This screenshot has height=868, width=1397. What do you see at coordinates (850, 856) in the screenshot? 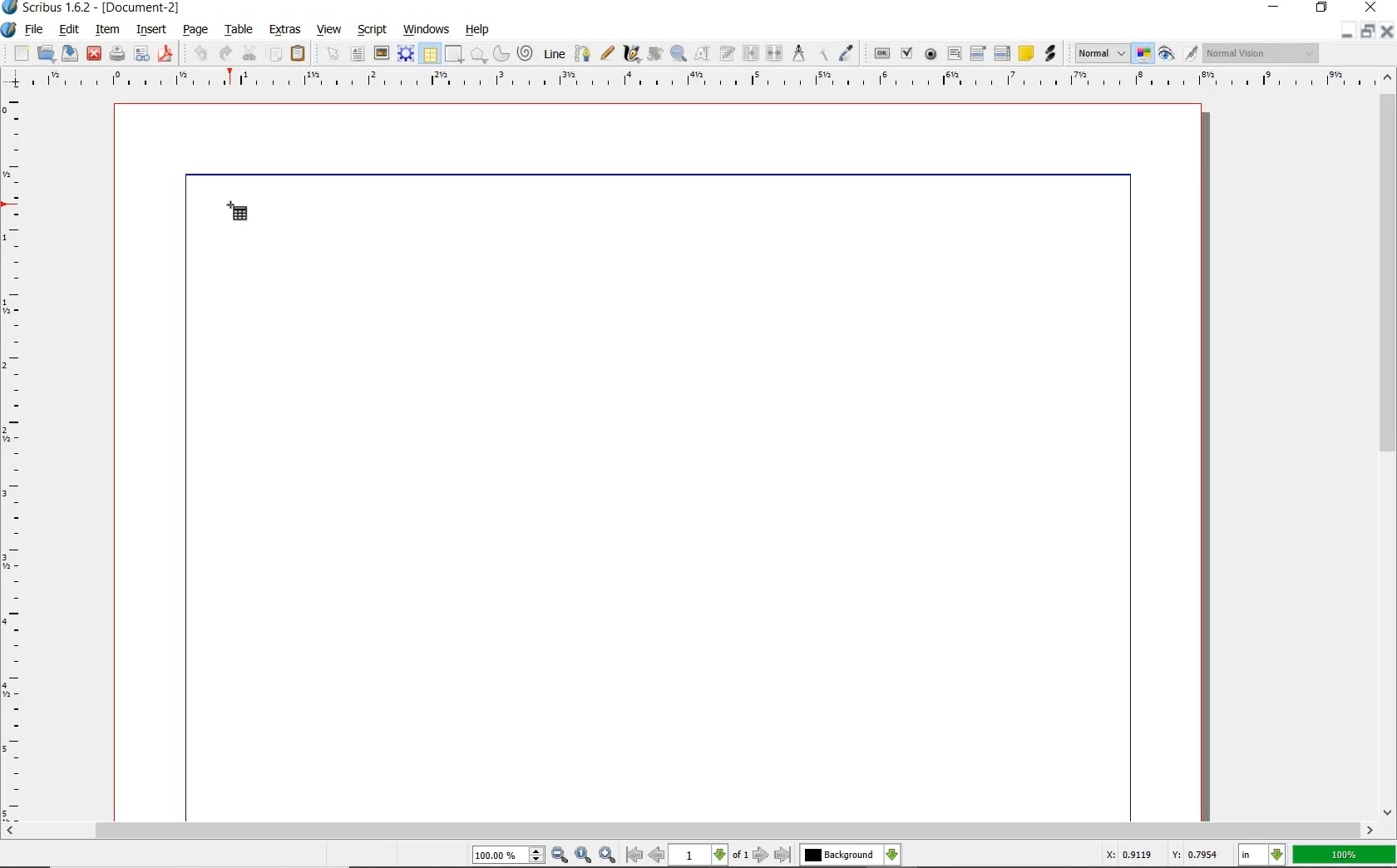
I see `select the current layer` at bounding box center [850, 856].